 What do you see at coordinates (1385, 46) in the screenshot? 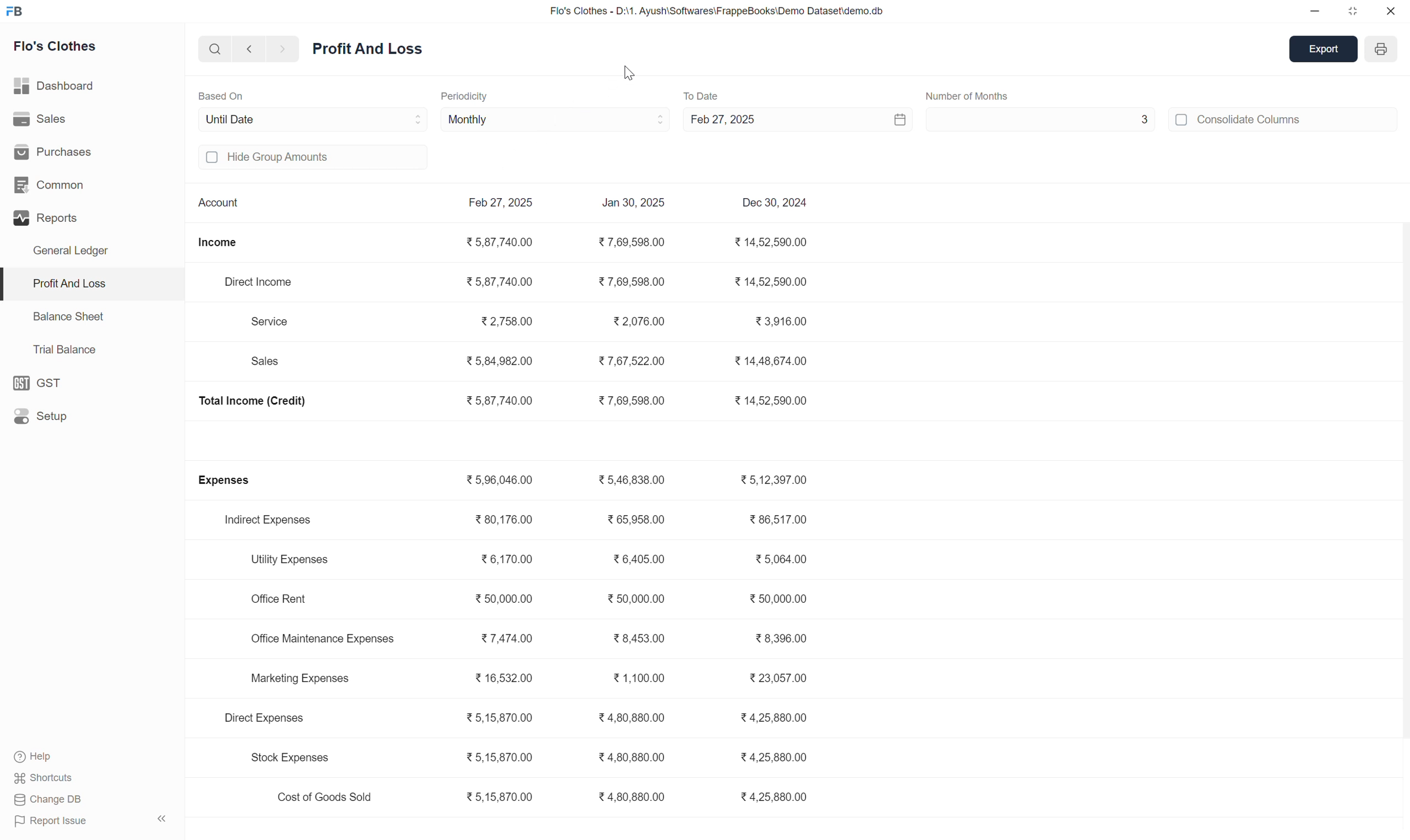
I see `Open report print view` at bounding box center [1385, 46].